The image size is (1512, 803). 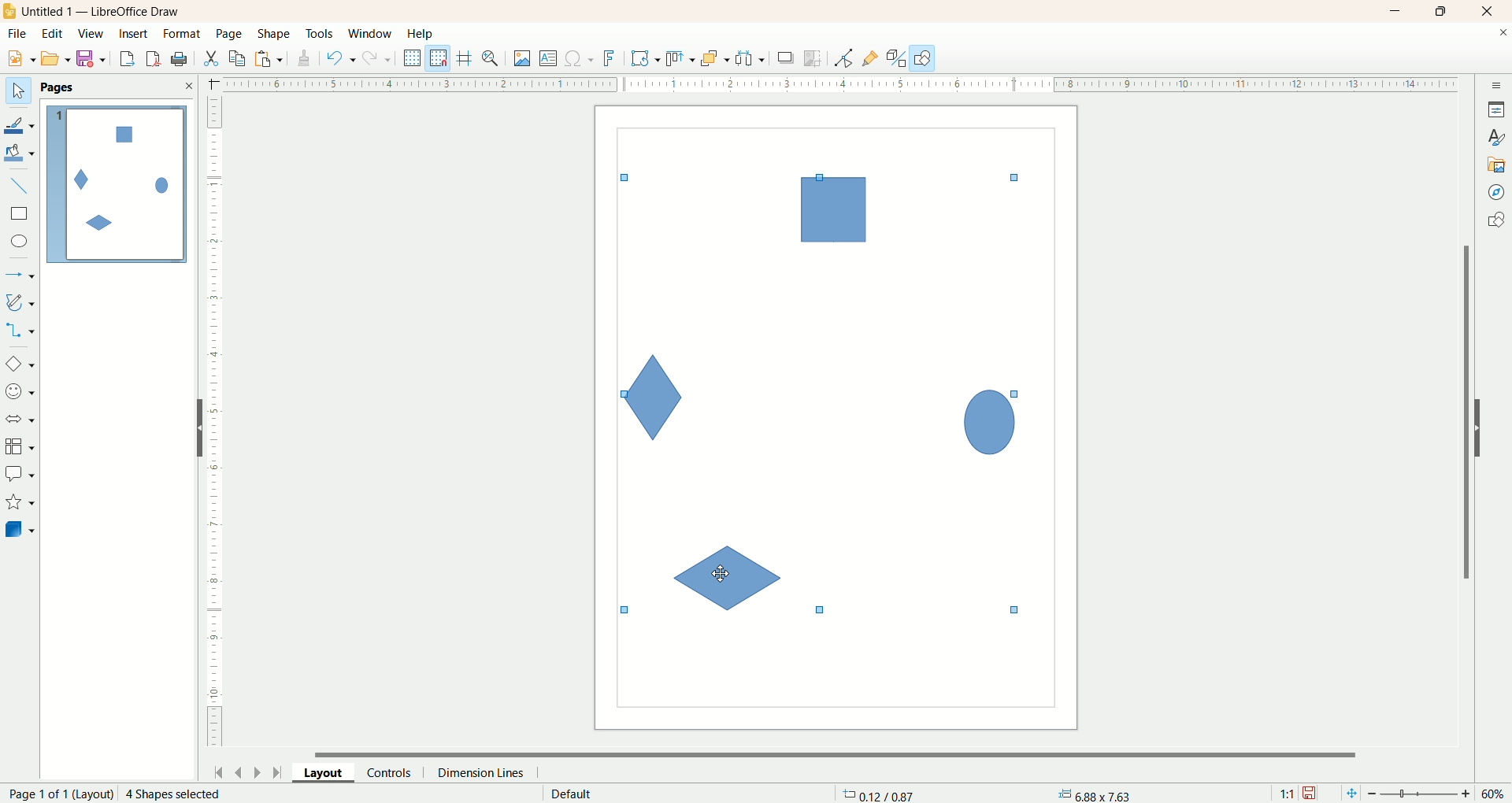 What do you see at coordinates (20, 330) in the screenshot?
I see `connectors` at bounding box center [20, 330].